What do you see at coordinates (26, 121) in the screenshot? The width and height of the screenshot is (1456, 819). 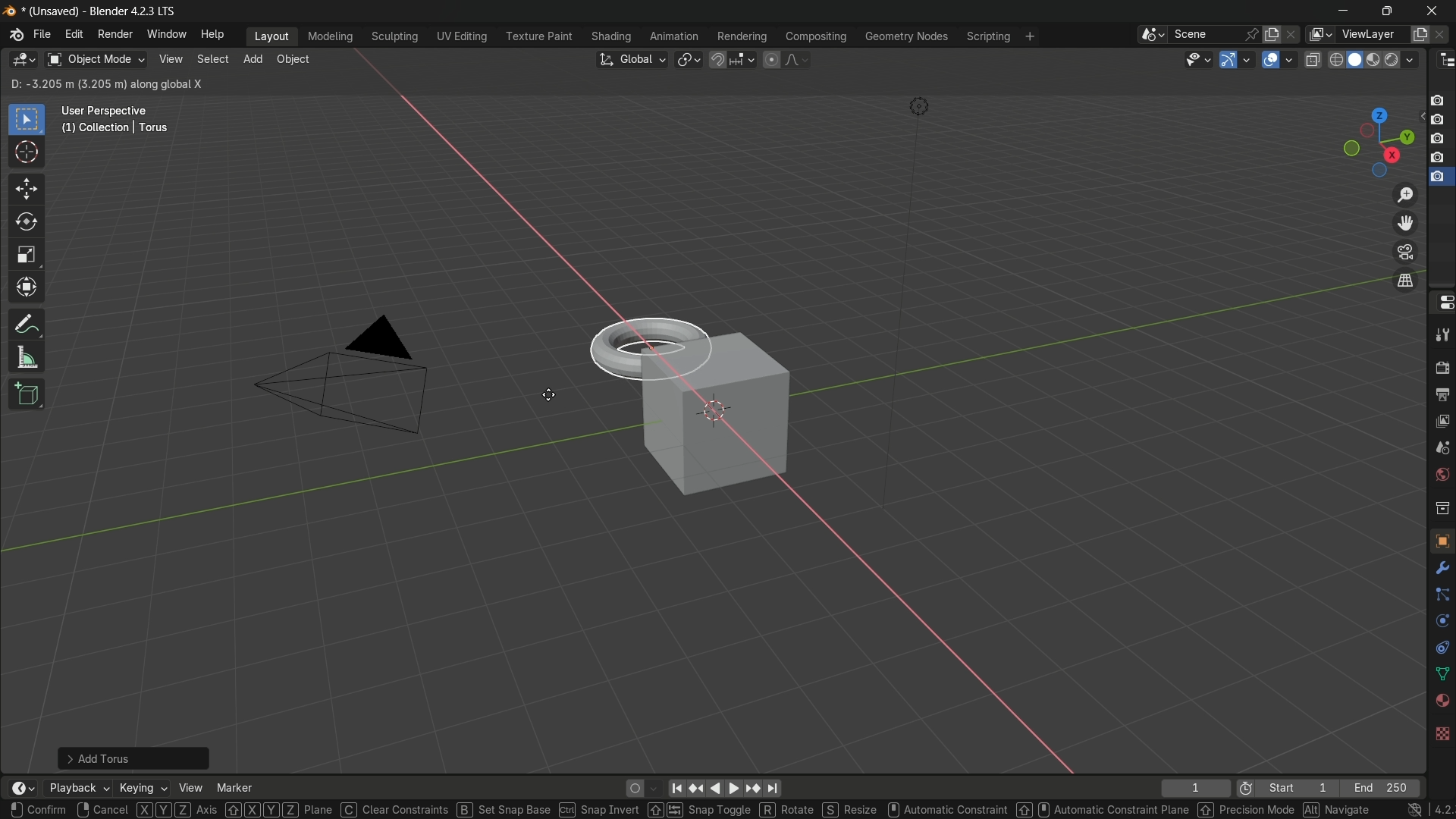 I see `select` at bounding box center [26, 121].